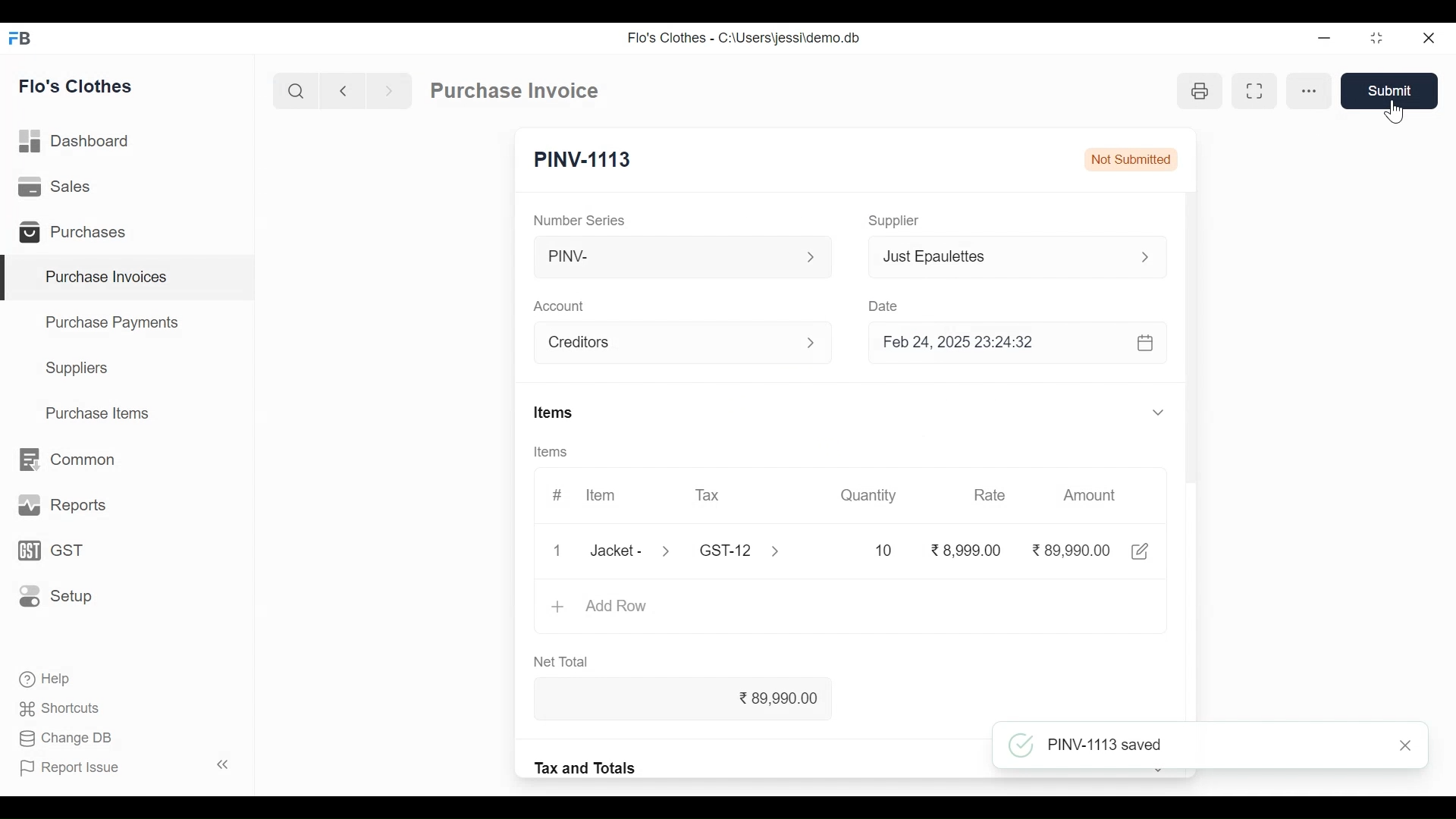  I want to click on Frappe Desktop icon, so click(24, 39).